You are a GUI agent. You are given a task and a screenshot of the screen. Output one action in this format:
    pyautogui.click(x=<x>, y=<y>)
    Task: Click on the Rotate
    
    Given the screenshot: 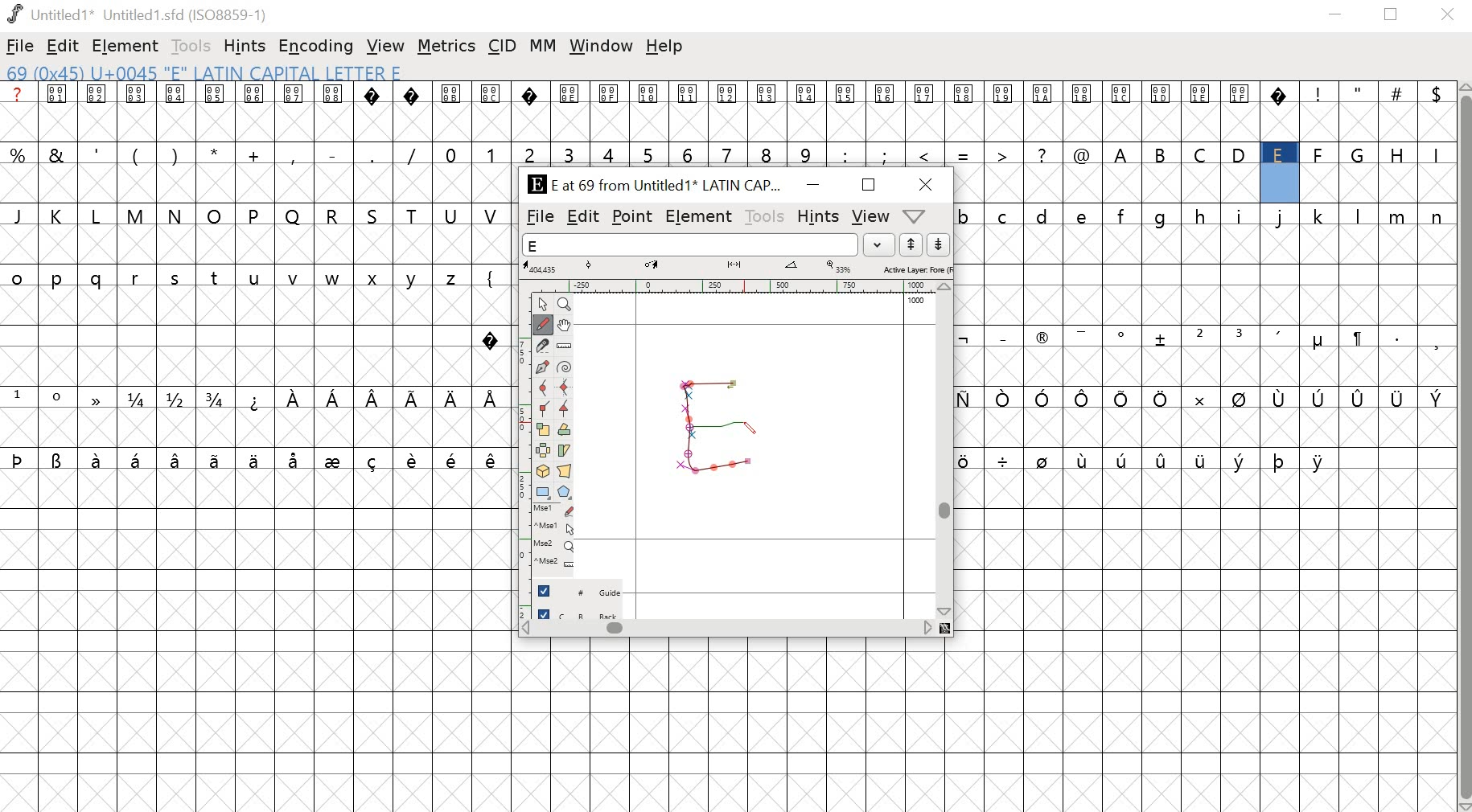 What is the action you would take?
    pyautogui.click(x=565, y=430)
    